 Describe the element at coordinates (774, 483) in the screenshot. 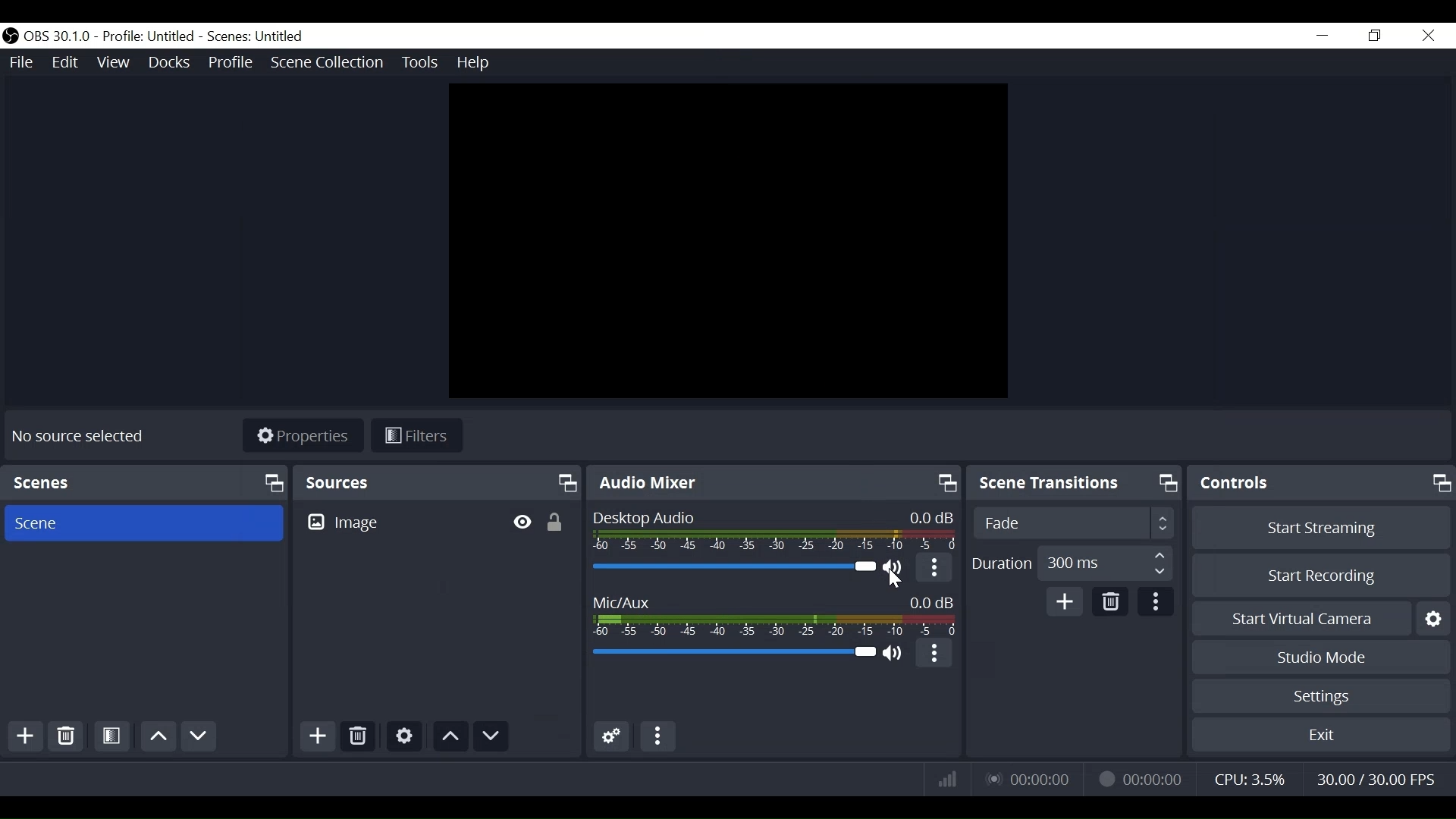

I see `Audio Mixer` at that location.